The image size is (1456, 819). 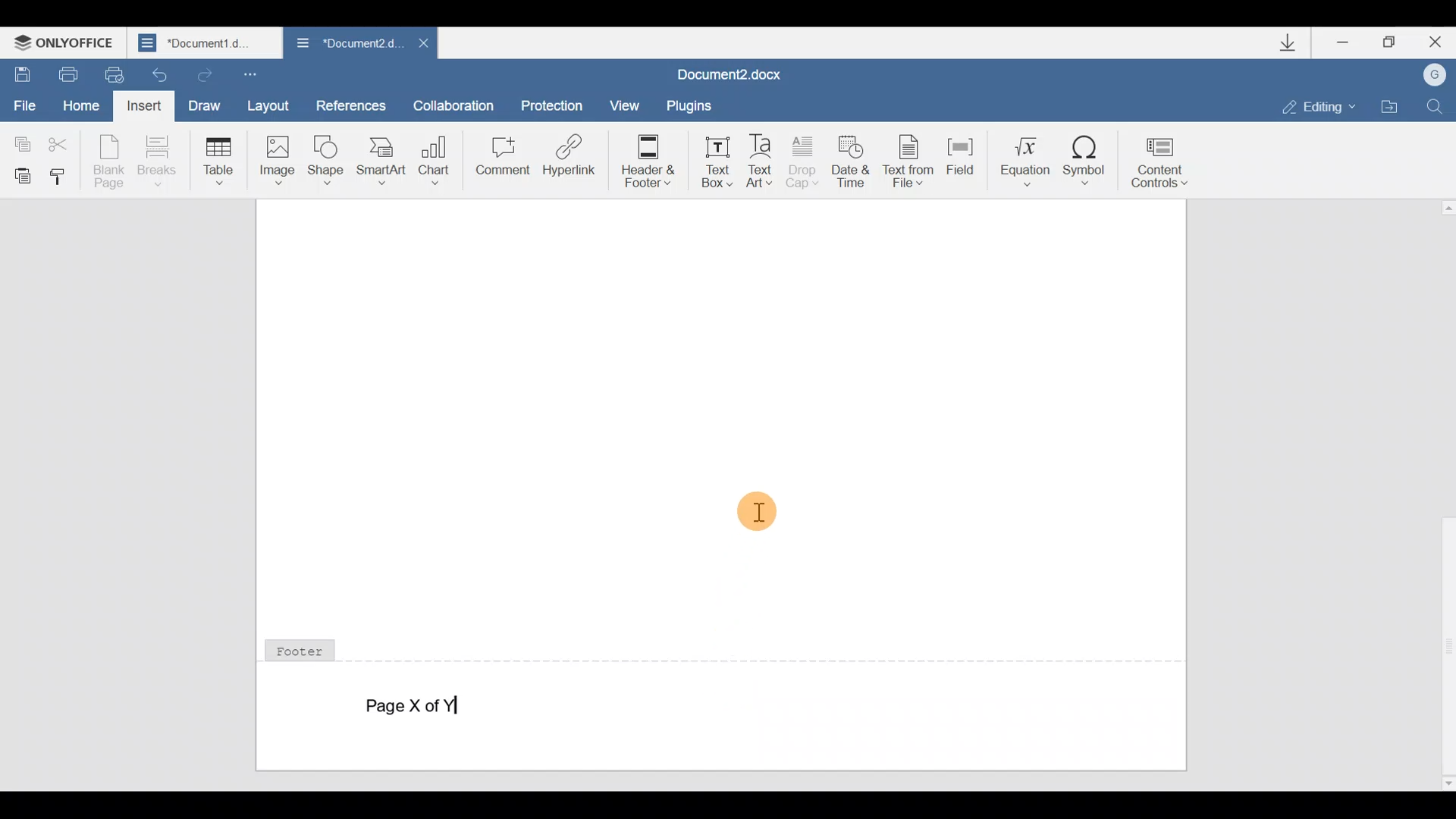 I want to click on Symbol, so click(x=1090, y=155).